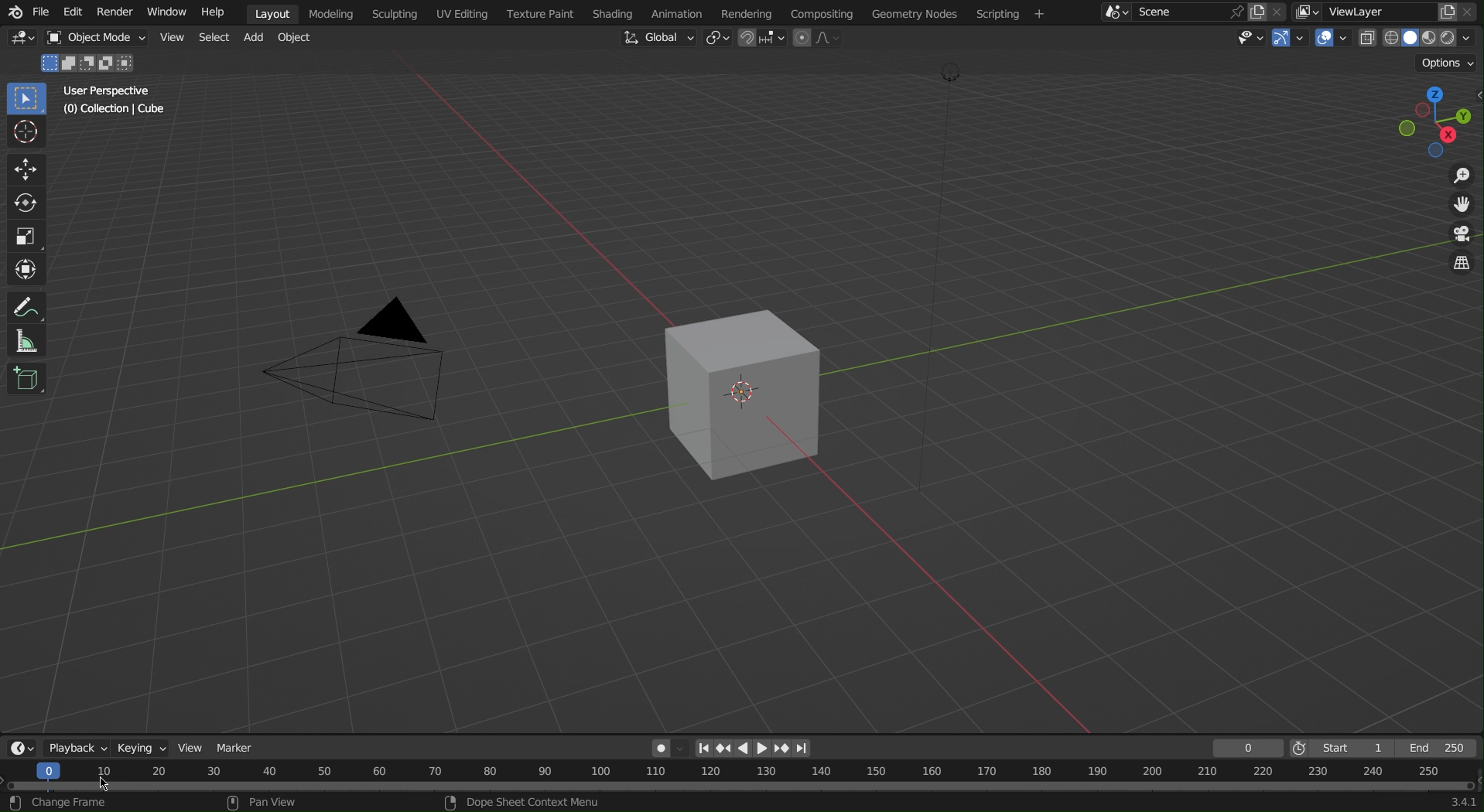  I want to click on Cube, so click(757, 390).